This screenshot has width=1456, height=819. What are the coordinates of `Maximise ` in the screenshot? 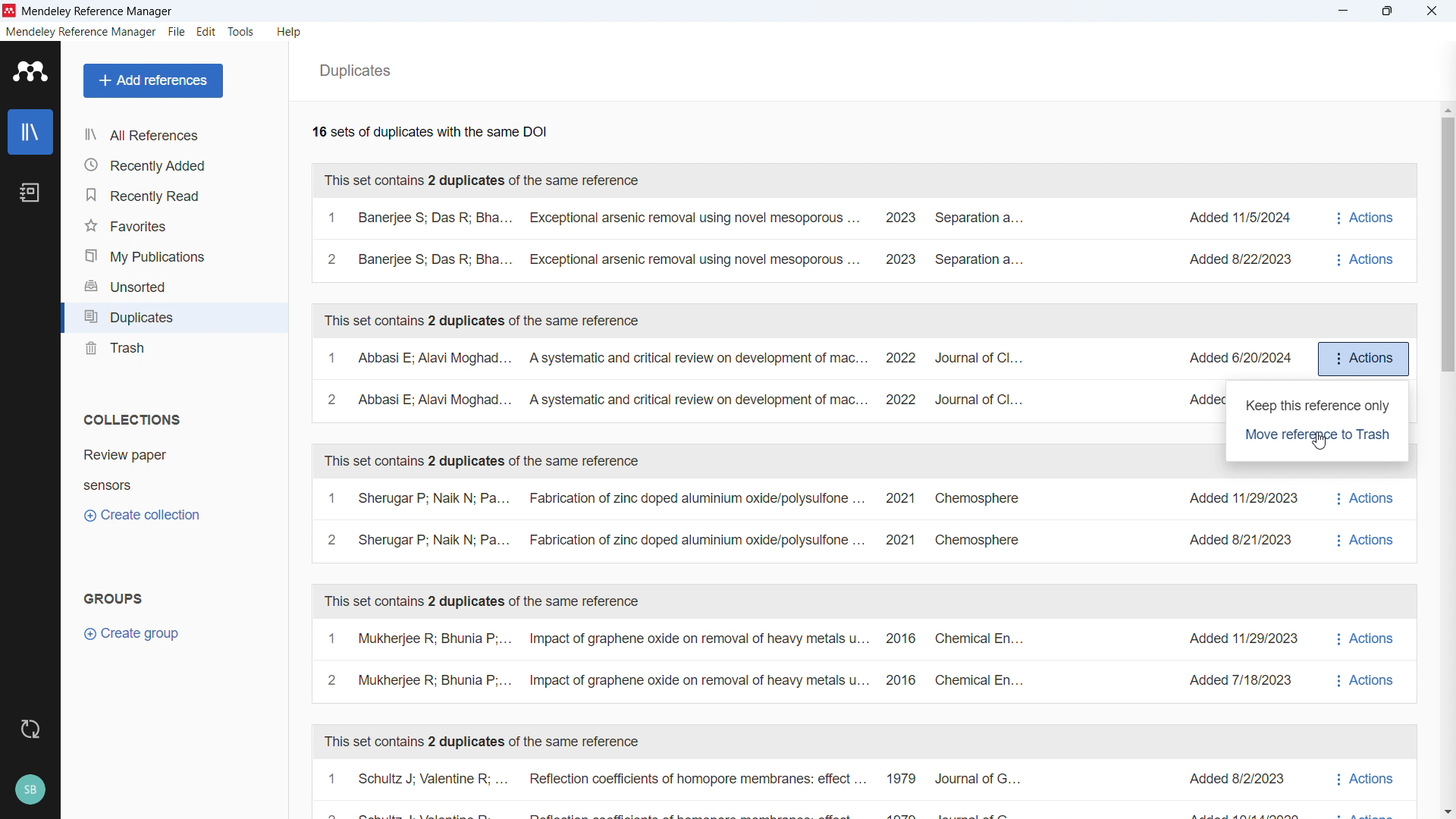 It's located at (1386, 11).